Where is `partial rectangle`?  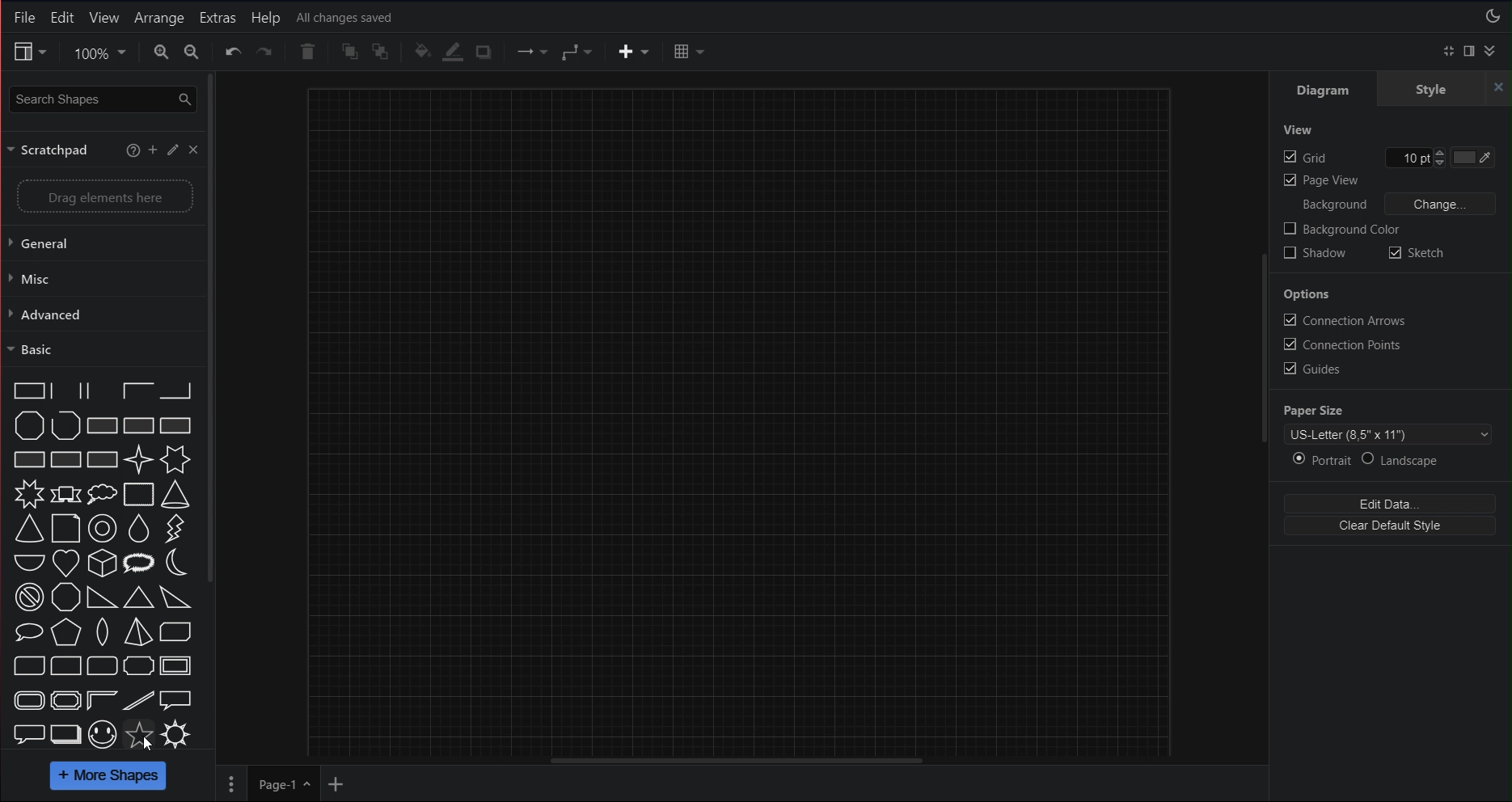 partial rectangle is located at coordinates (28, 390).